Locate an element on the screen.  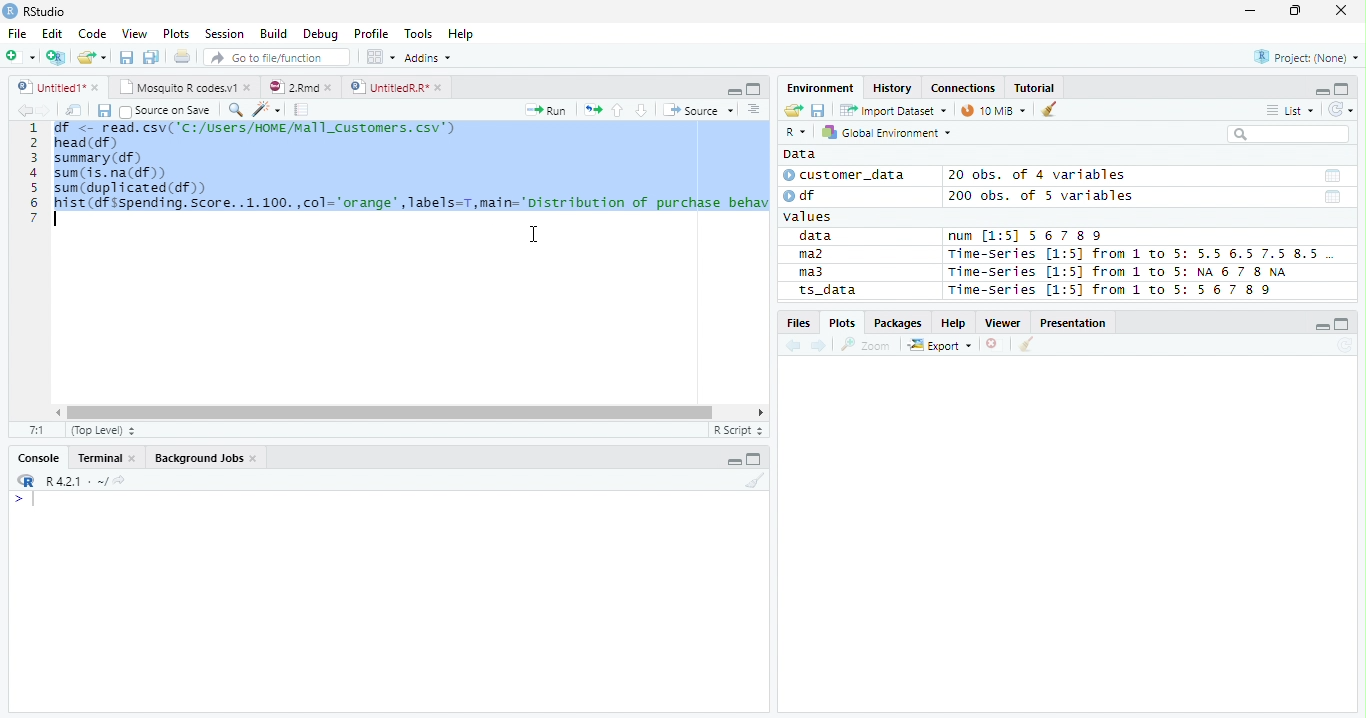
Create Project is located at coordinates (57, 57).